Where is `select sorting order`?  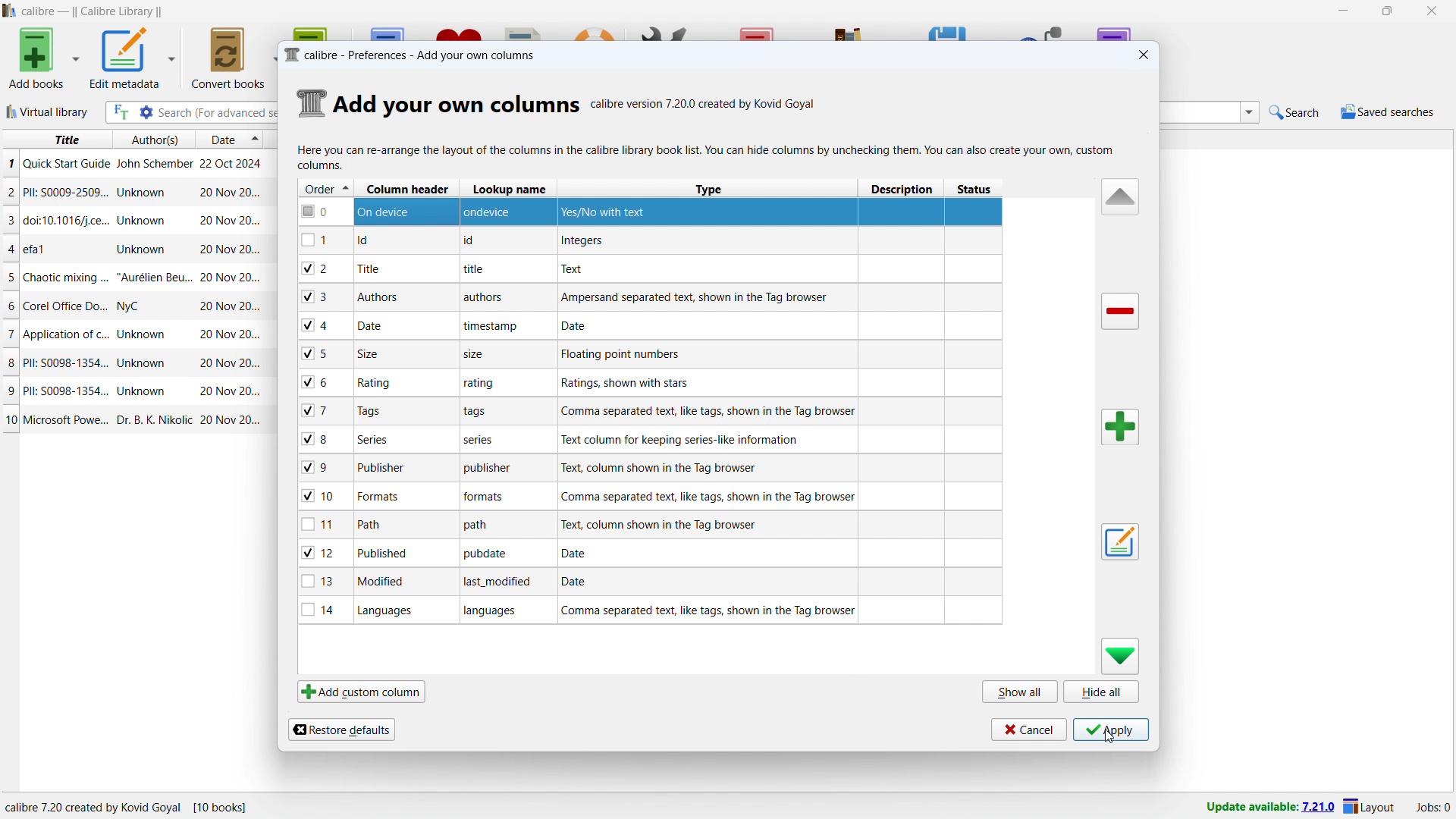 select sorting order is located at coordinates (256, 141).